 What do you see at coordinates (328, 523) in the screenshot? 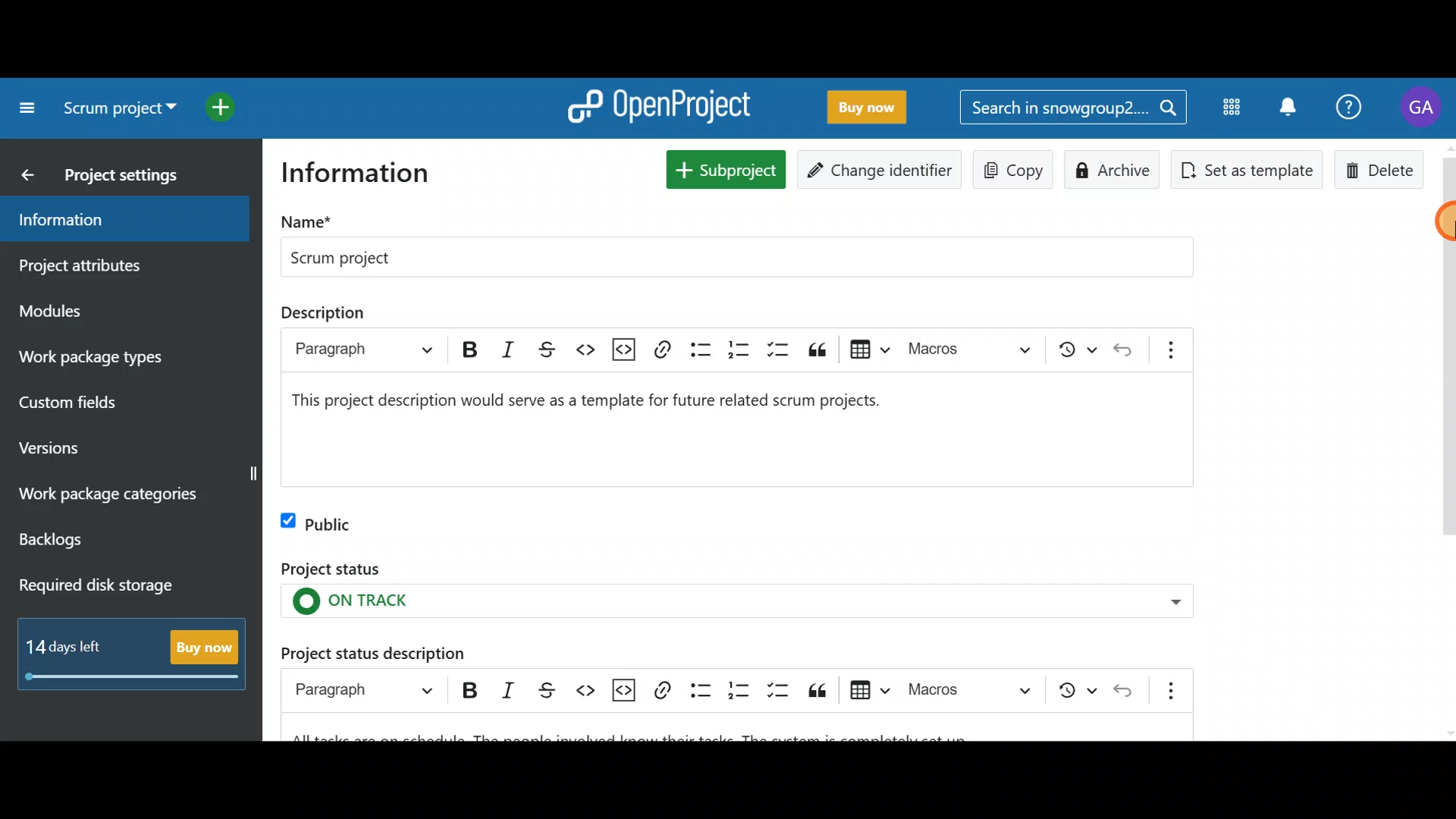
I see `Public` at bounding box center [328, 523].